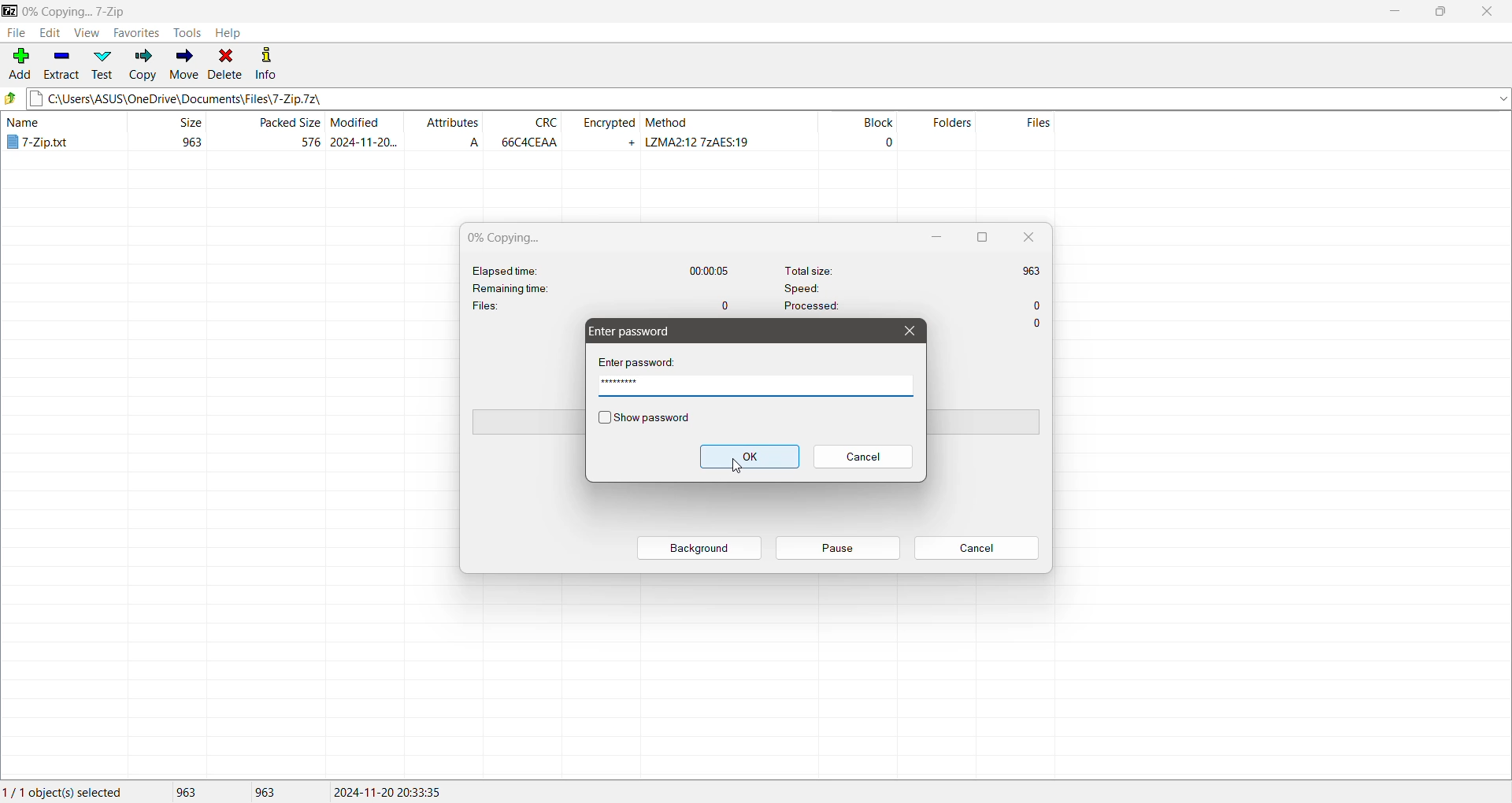 The height and width of the screenshot is (803, 1512). Describe the element at coordinates (729, 133) in the screenshot. I see `Encryption Method` at that location.